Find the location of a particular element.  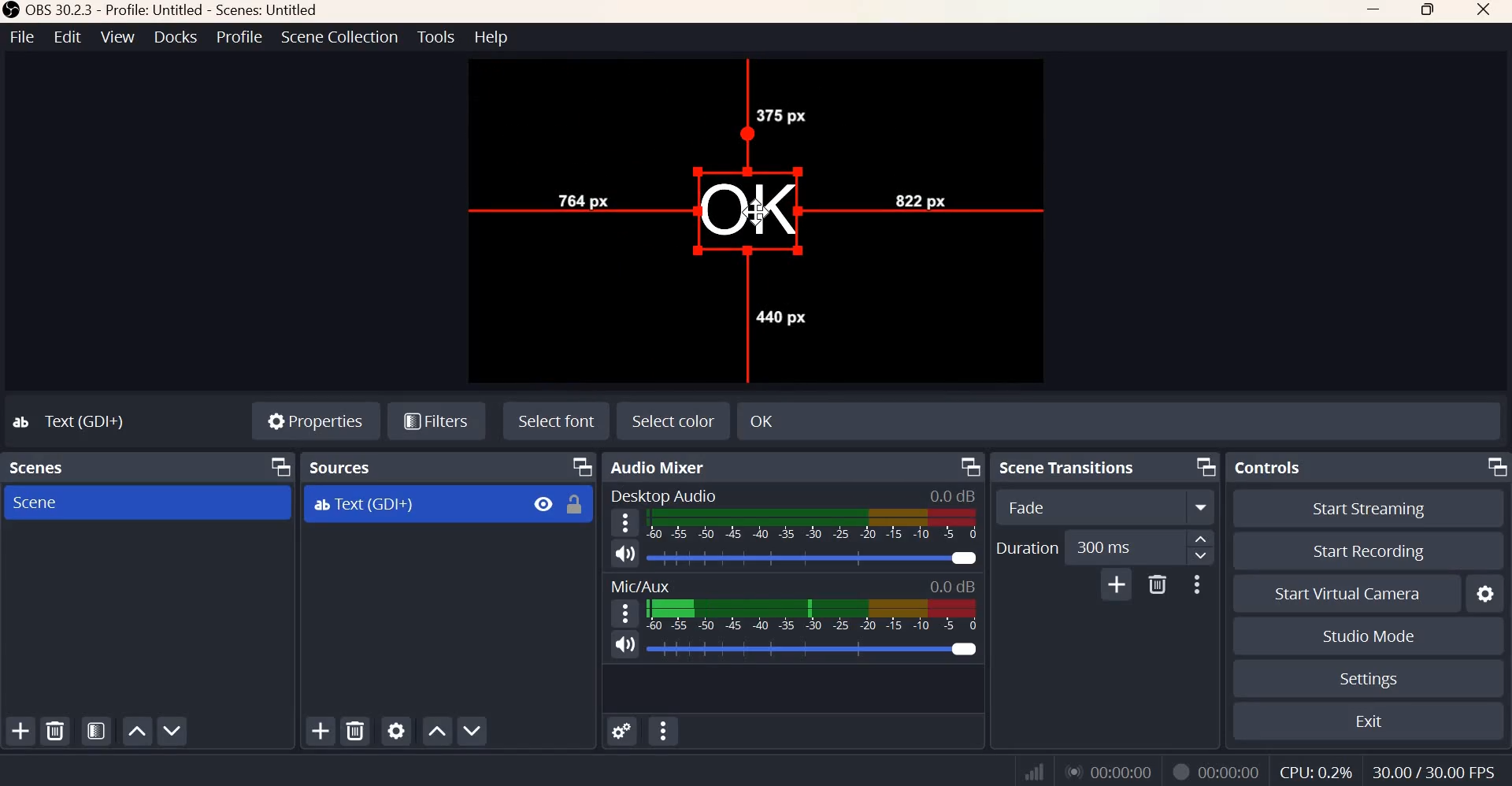

Recording Status Icon is located at coordinates (1180, 773).